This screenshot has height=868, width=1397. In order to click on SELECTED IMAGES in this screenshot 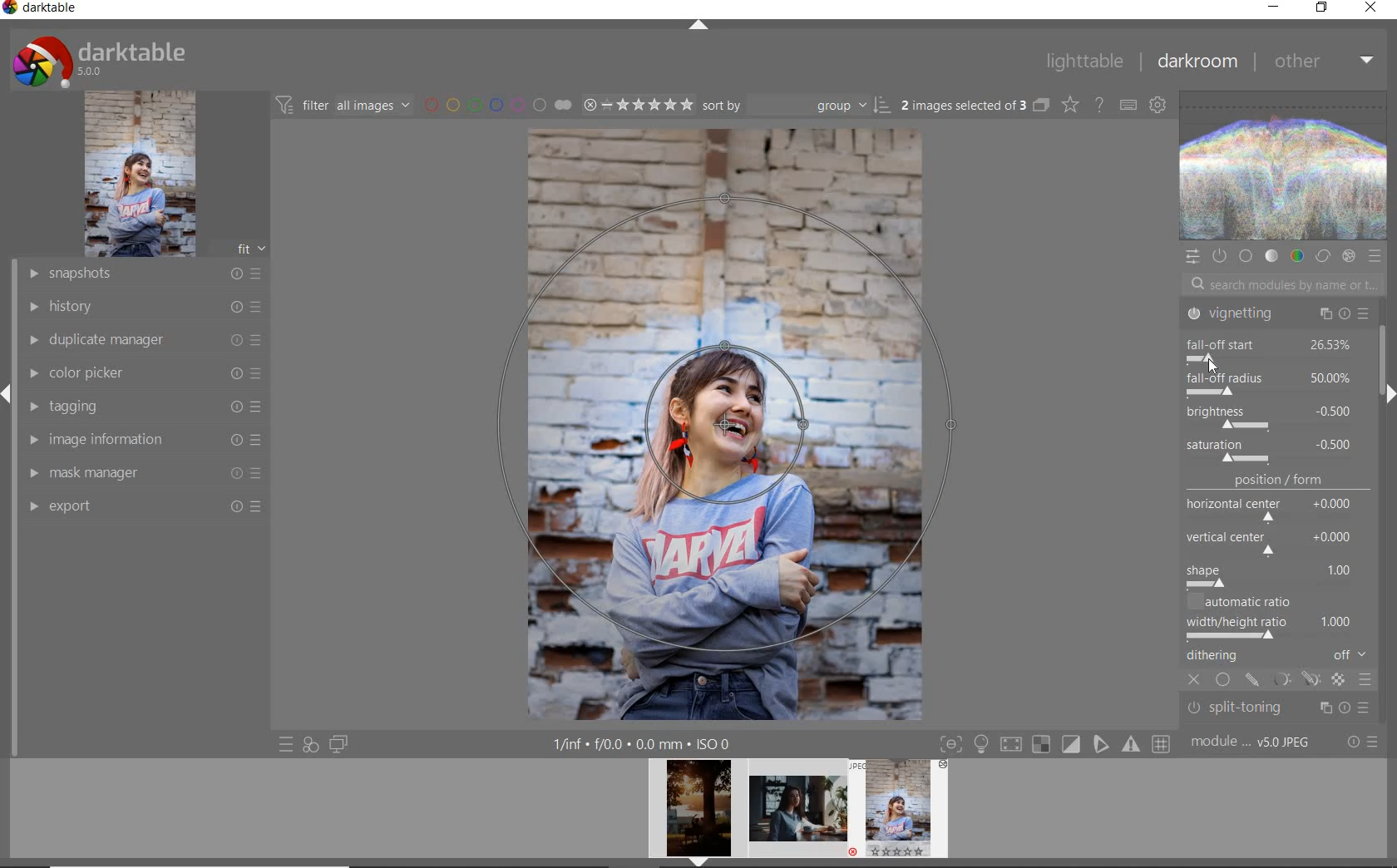, I will do `click(964, 102)`.